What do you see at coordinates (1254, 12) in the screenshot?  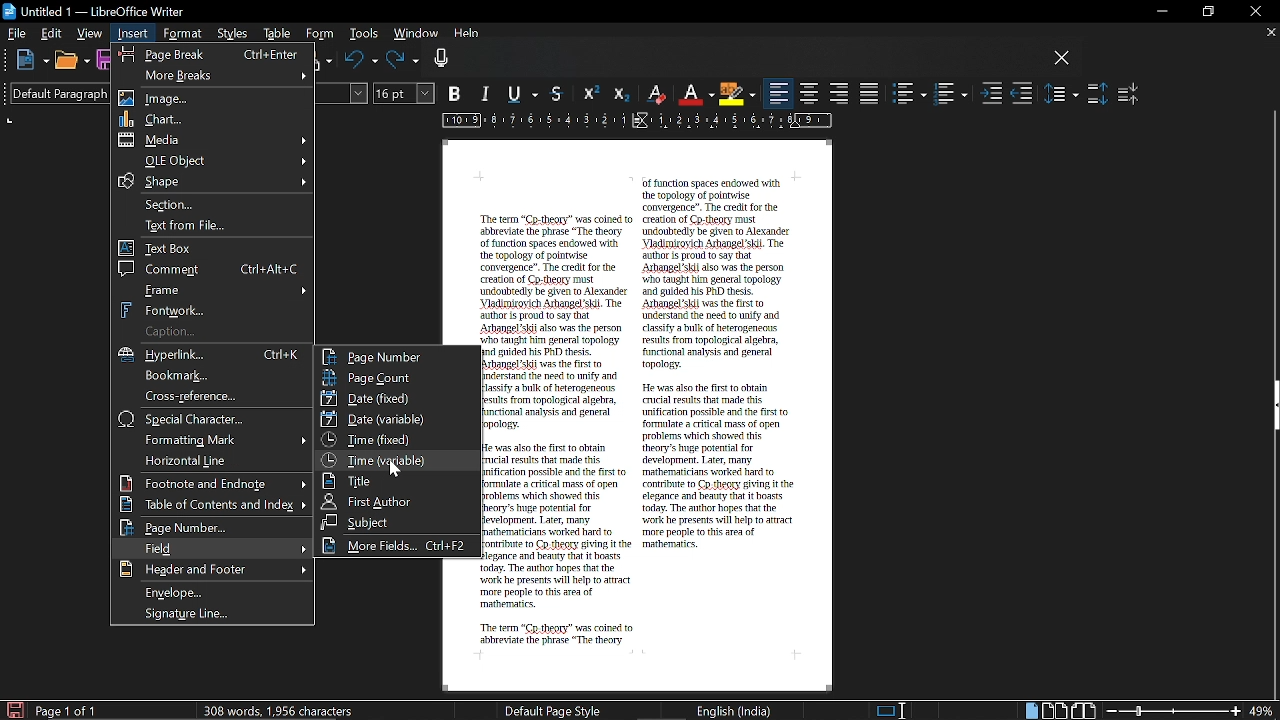 I see `Close` at bounding box center [1254, 12].